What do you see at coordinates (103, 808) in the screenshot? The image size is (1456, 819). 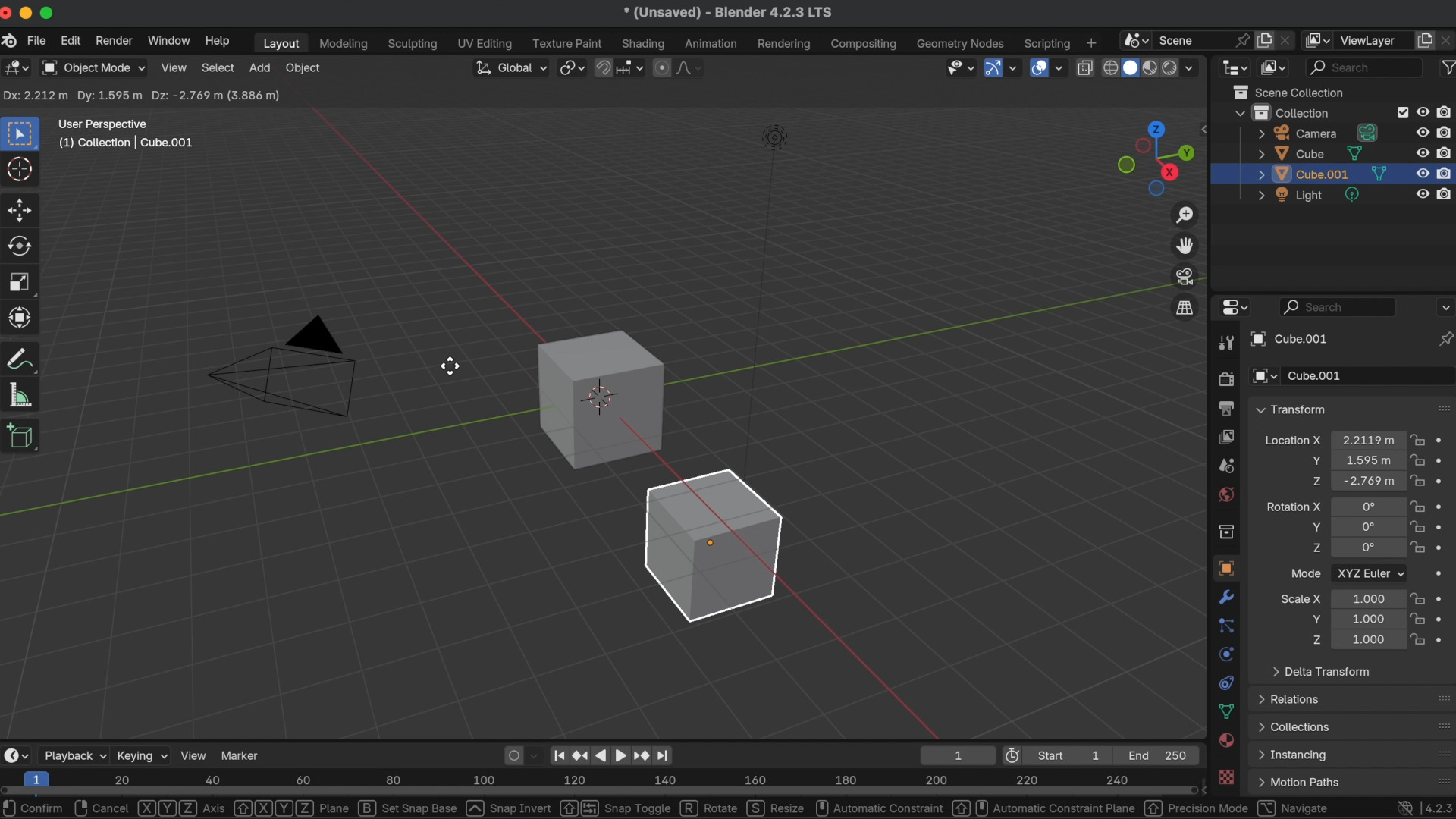 I see `cancel` at bounding box center [103, 808].